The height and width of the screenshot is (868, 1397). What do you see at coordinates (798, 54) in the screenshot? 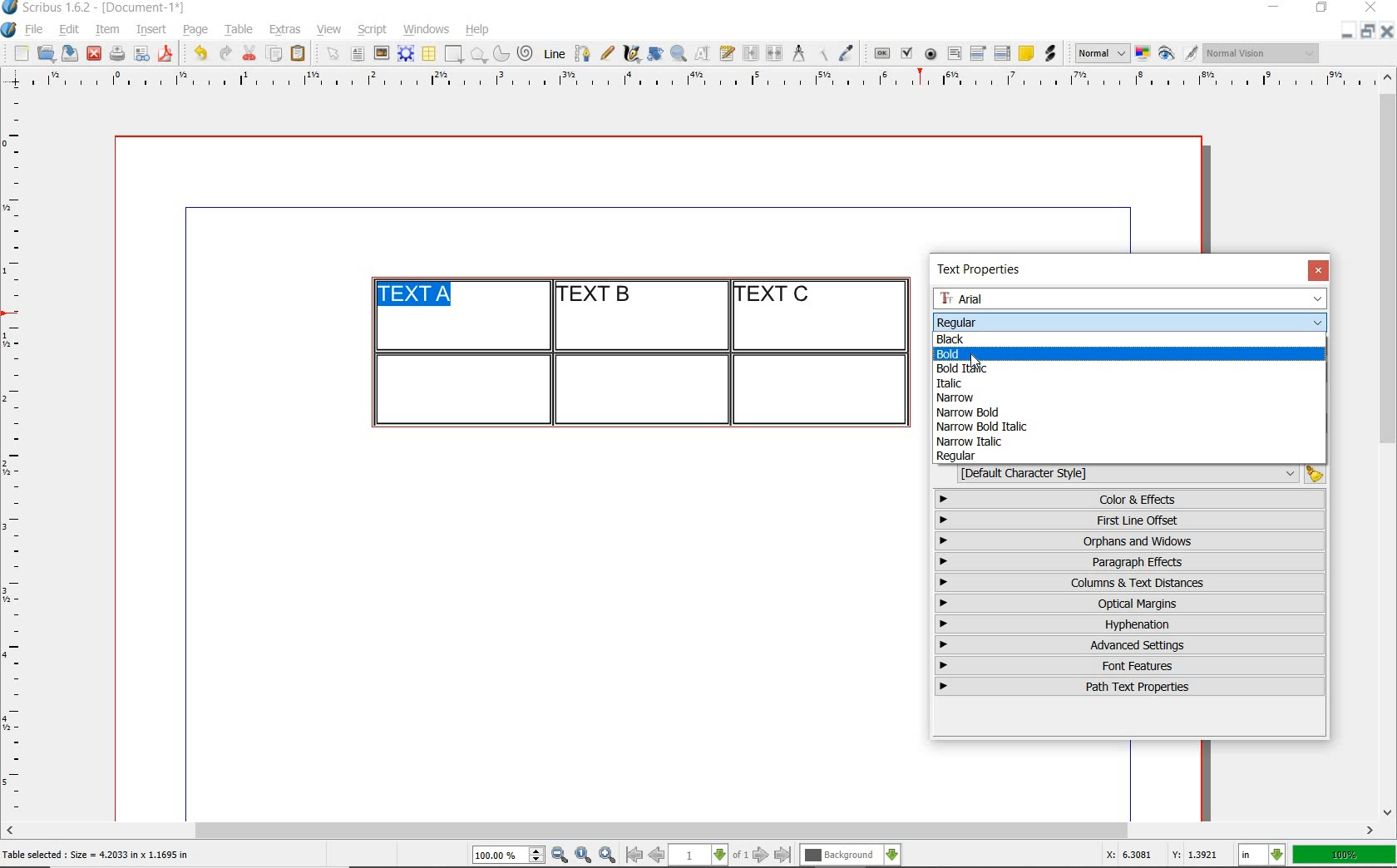
I see `measurements` at bounding box center [798, 54].